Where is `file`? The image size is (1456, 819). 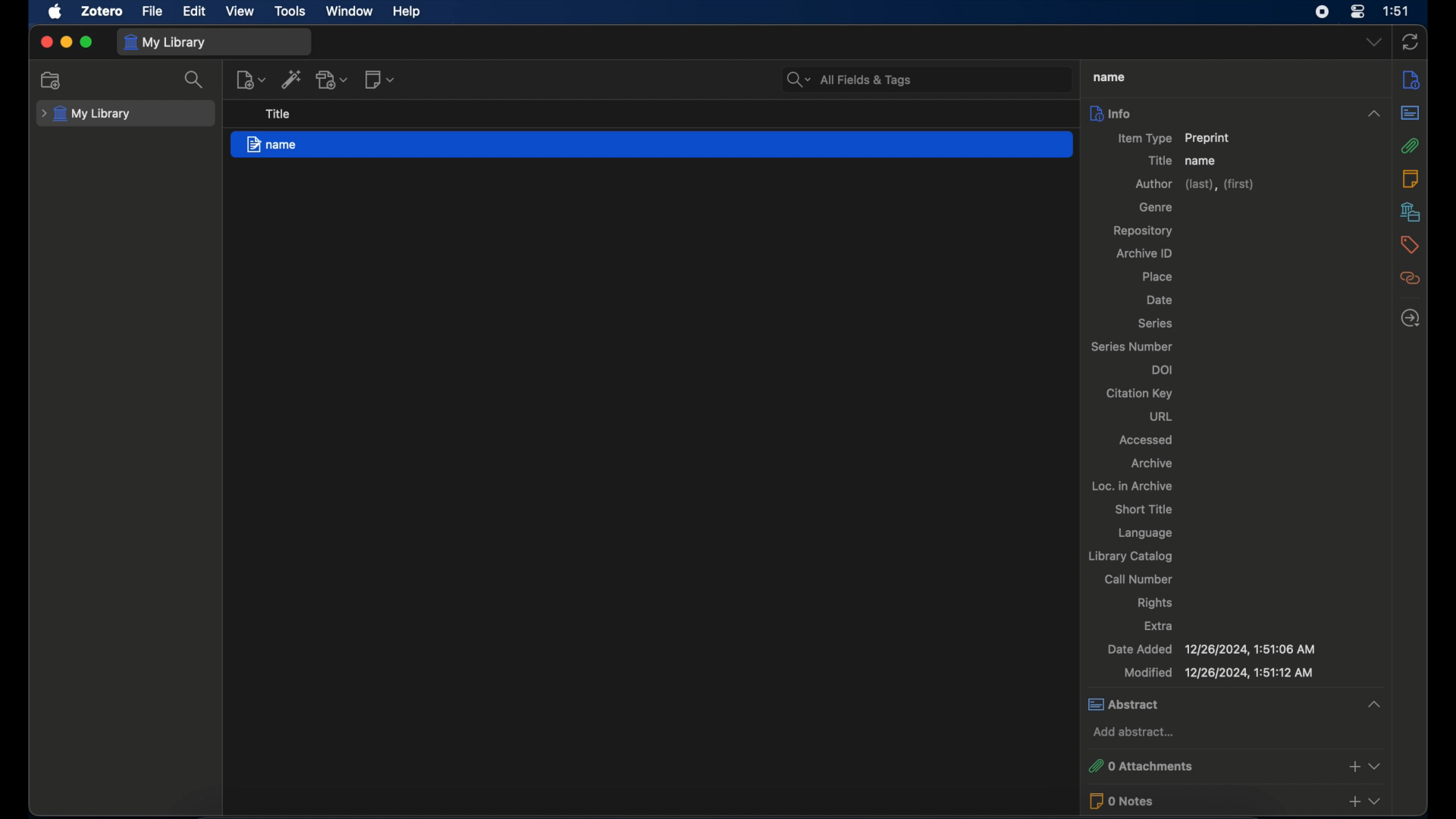 file is located at coordinates (153, 11).